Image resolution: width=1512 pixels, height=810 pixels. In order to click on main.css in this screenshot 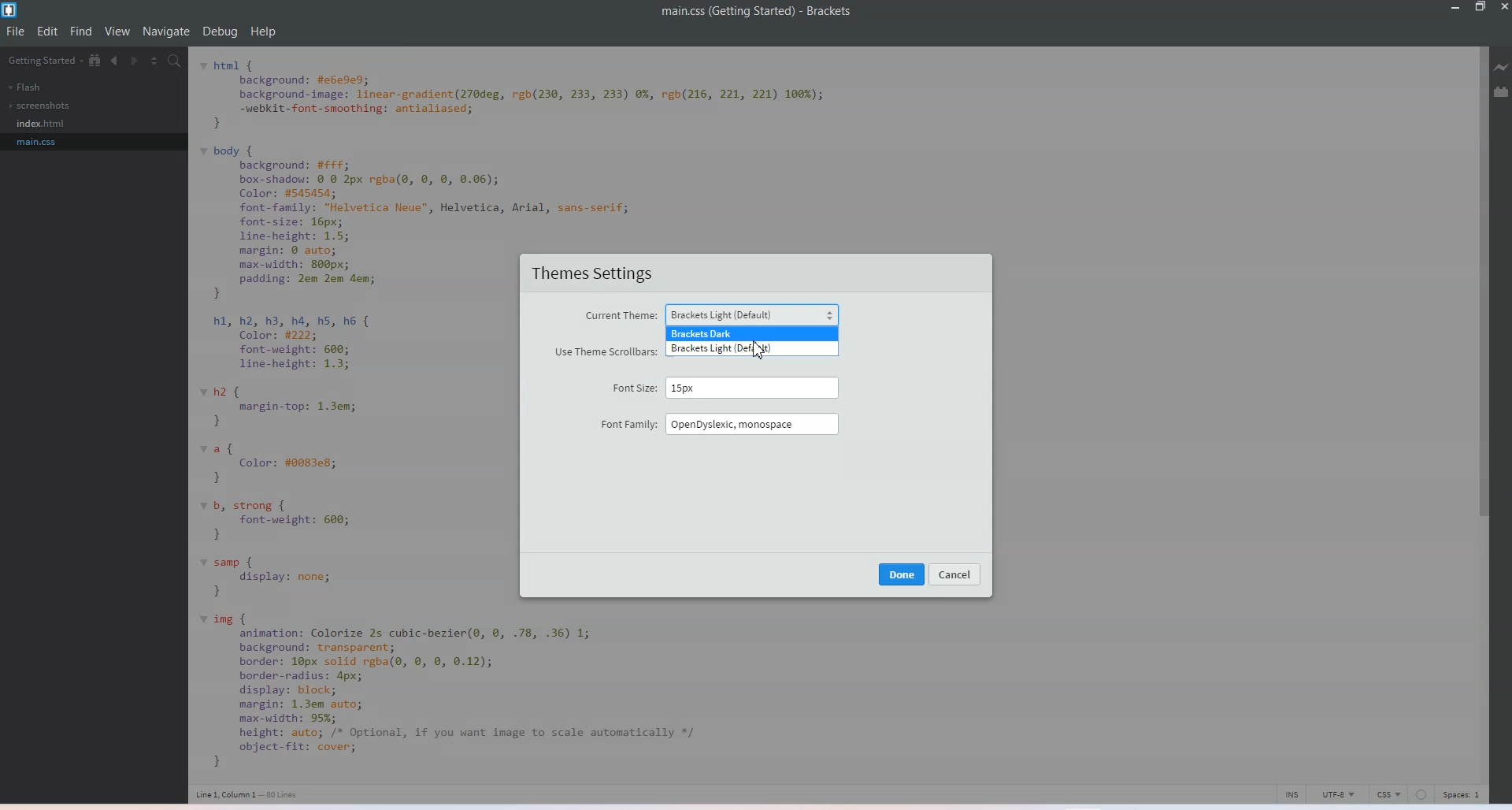, I will do `click(41, 142)`.